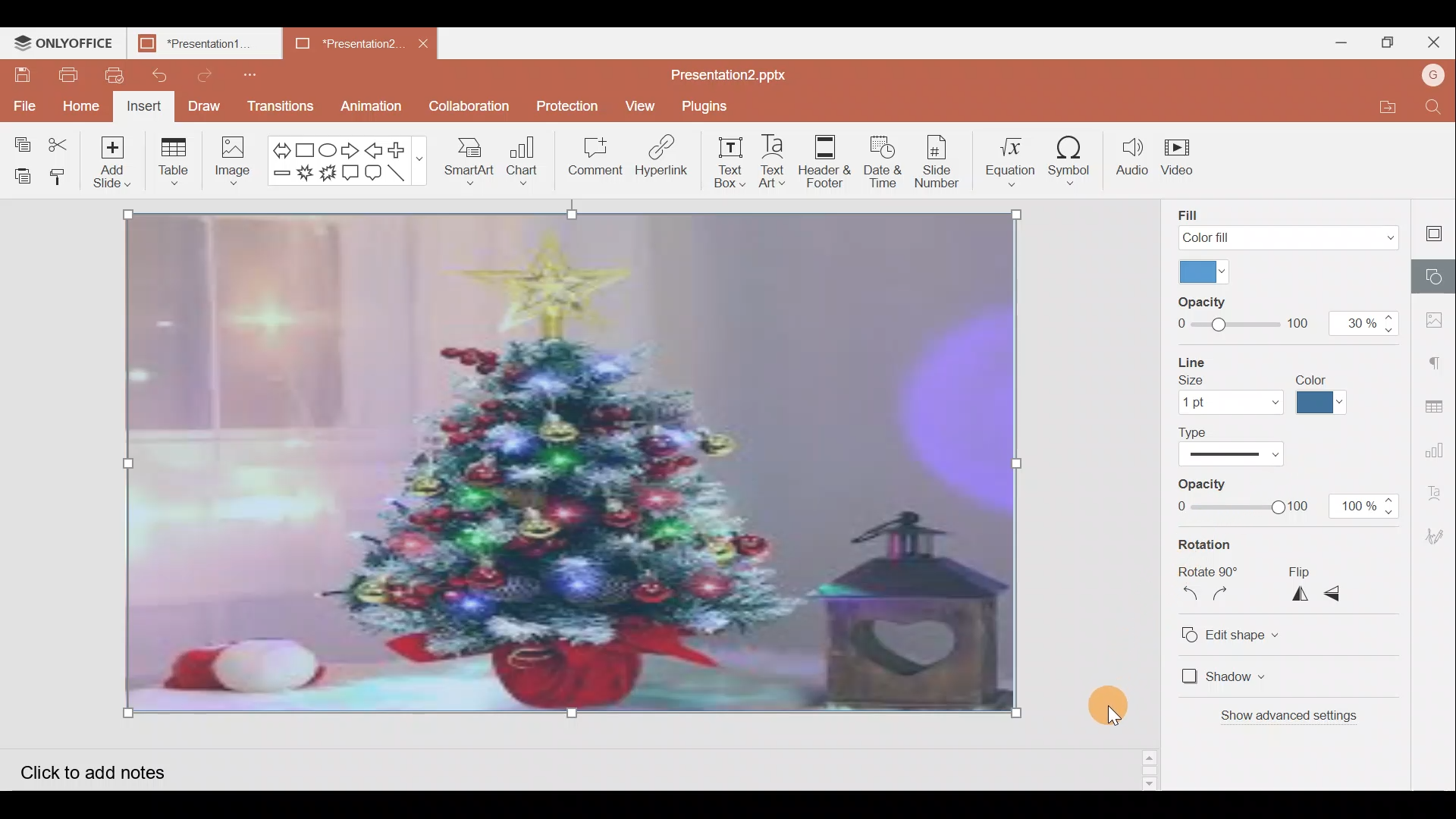 The height and width of the screenshot is (819, 1456). What do you see at coordinates (1363, 317) in the screenshot?
I see `30%` at bounding box center [1363, 317].